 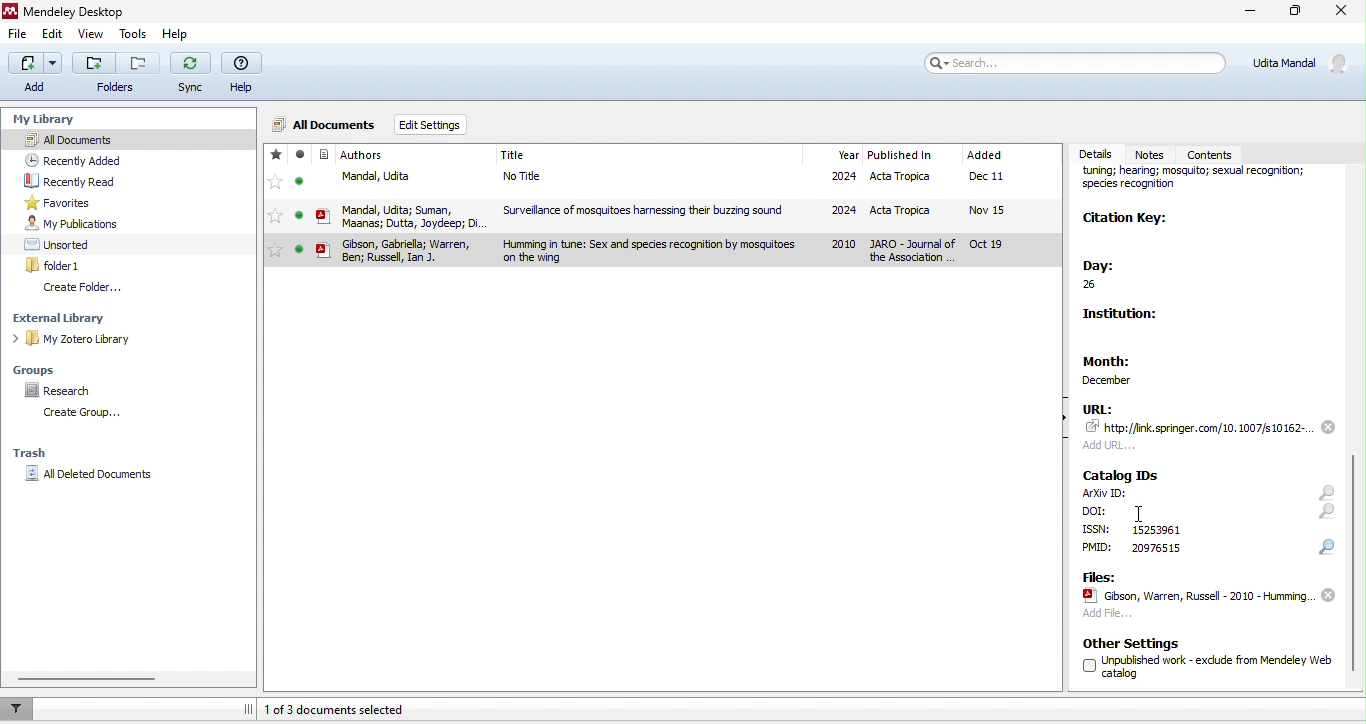 What do you see at coordinates (1098, 548) in the screenshot?
I see `text` at bounding box center [1098, 548].